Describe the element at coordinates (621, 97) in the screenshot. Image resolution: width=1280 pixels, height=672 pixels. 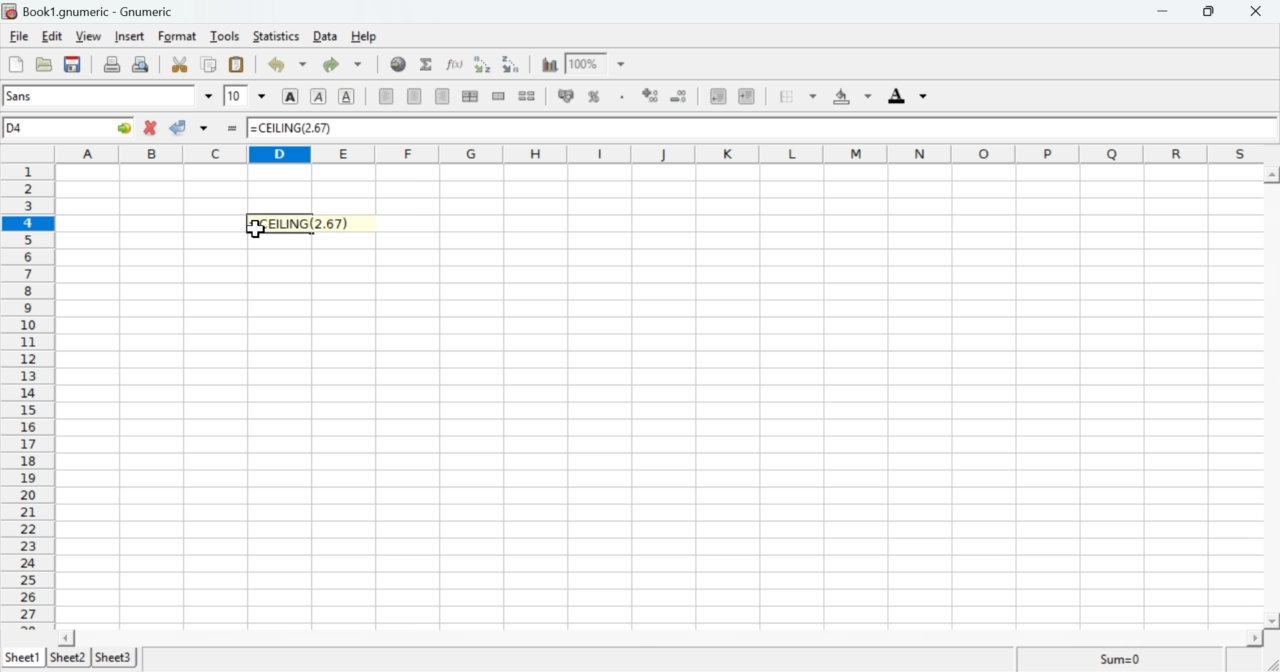
I see `Thousand separator` at that location.